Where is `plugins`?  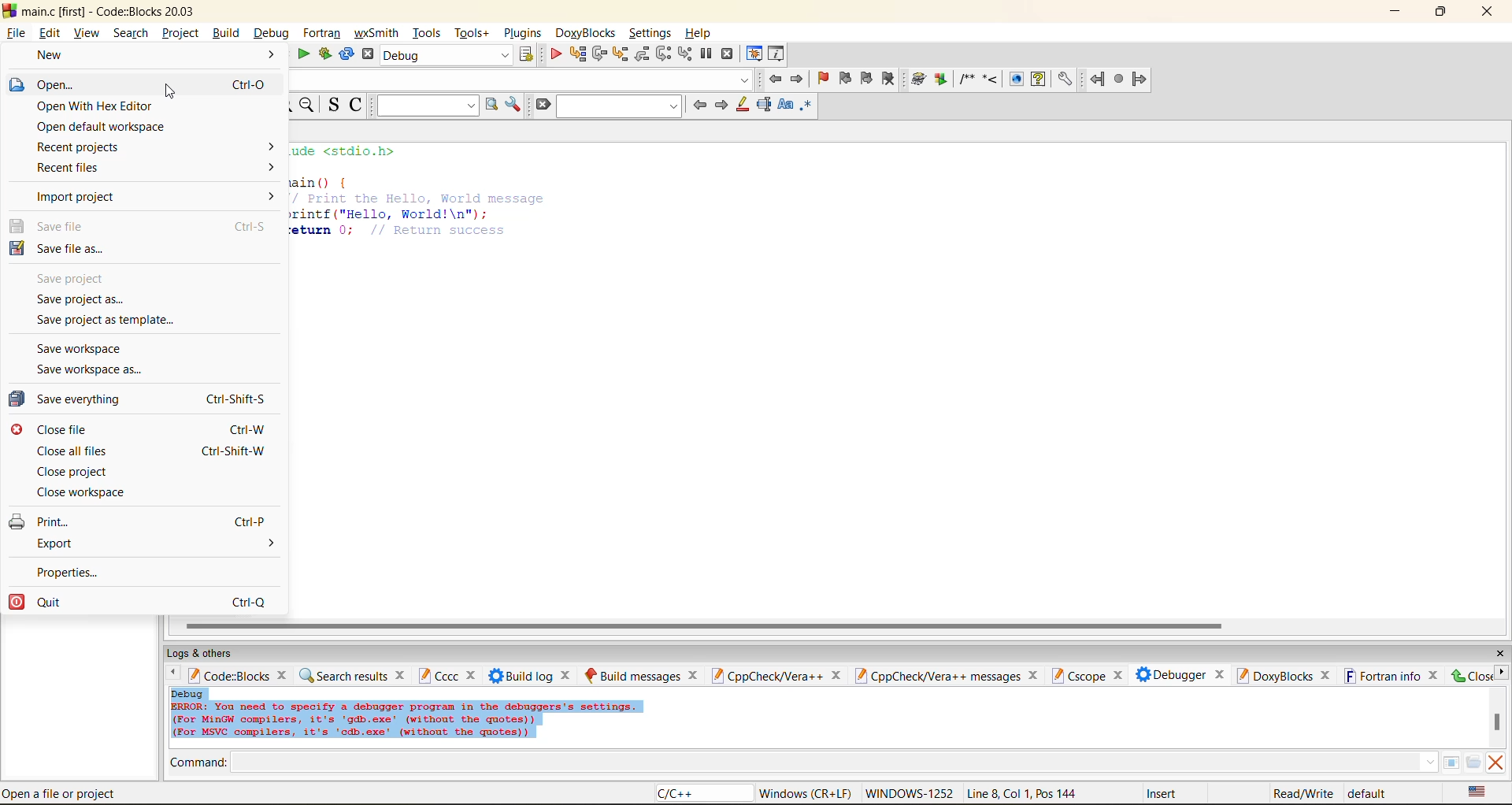
plugins is located at coordinates (524, 33).